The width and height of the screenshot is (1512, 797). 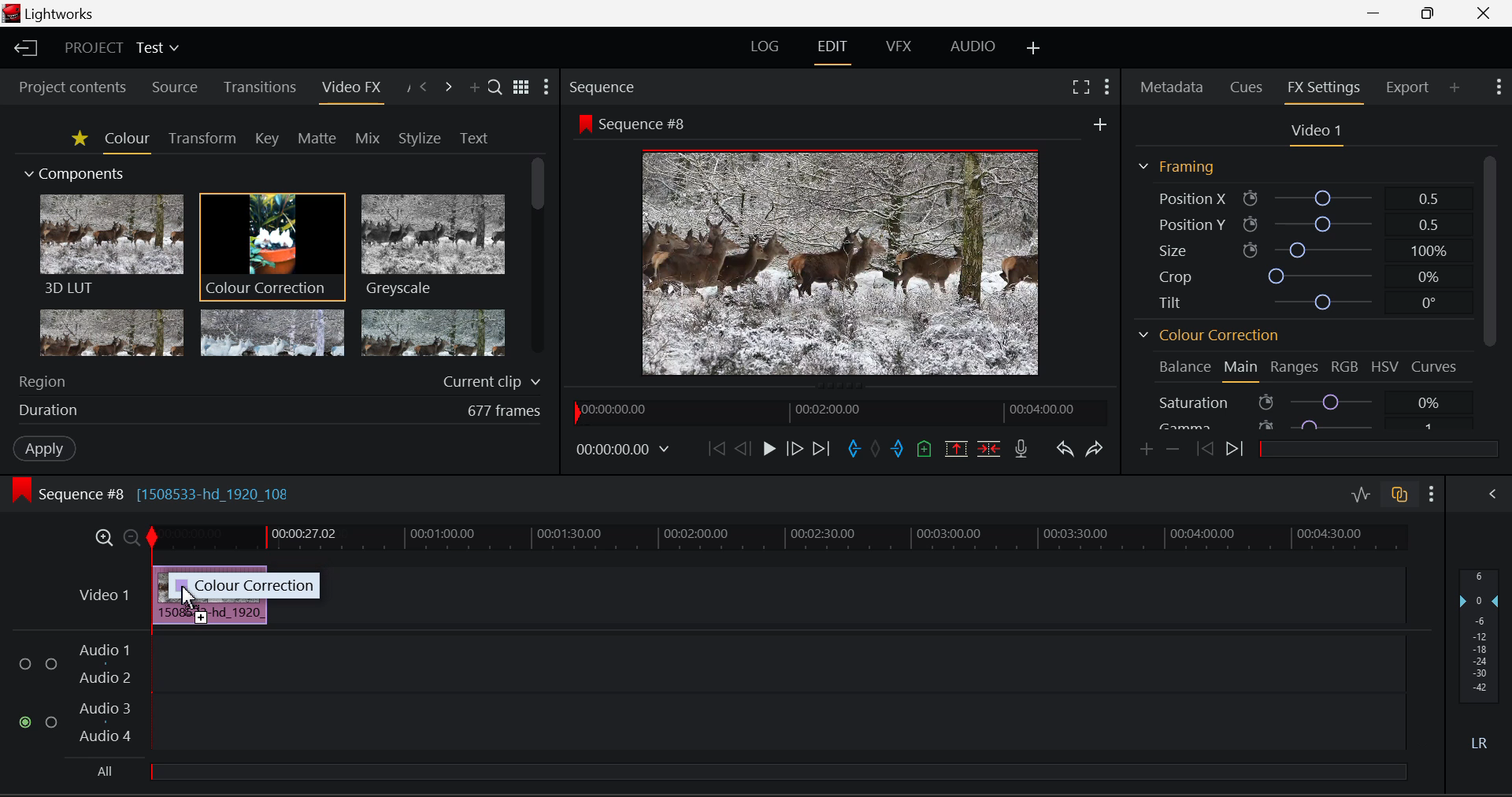 What do you see at coordinates (1147, 450) in the screenshot?
I see `Add keyframe` at bounding box center [1147, 450].